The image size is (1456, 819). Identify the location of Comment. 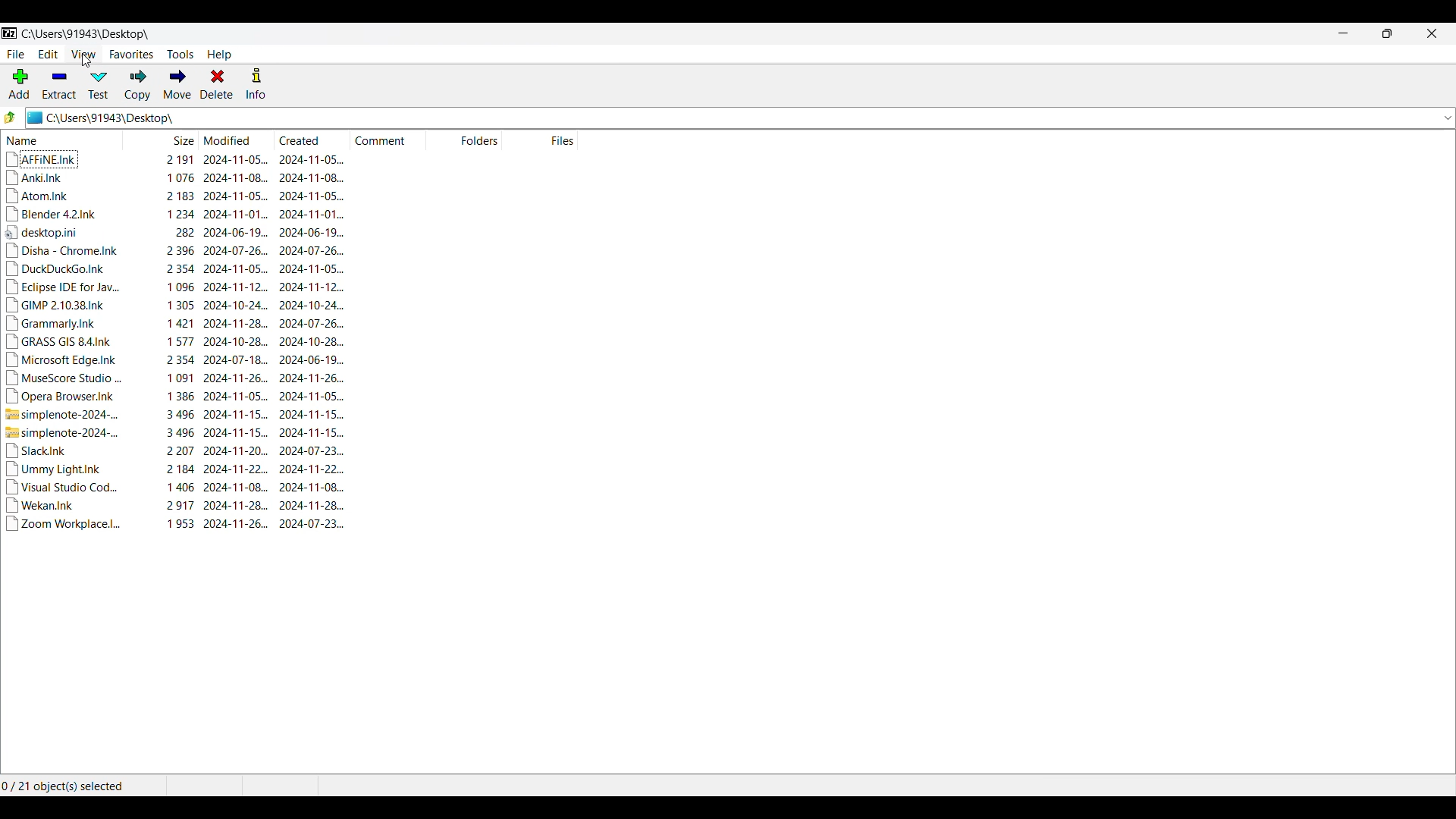
(388, 140).